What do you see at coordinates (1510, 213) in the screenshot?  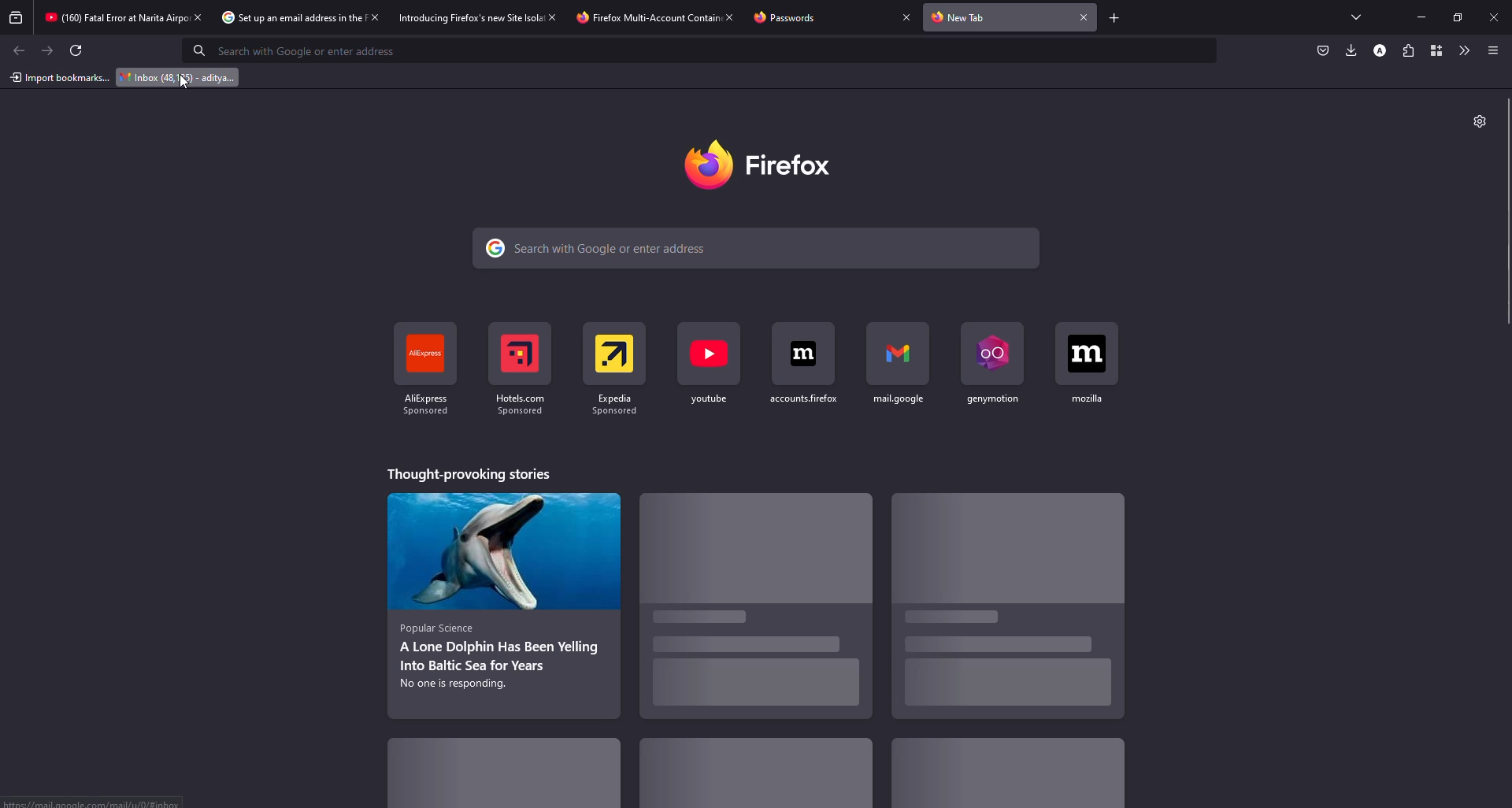 I see `scroll bar` at bounding box center [1510, 213].